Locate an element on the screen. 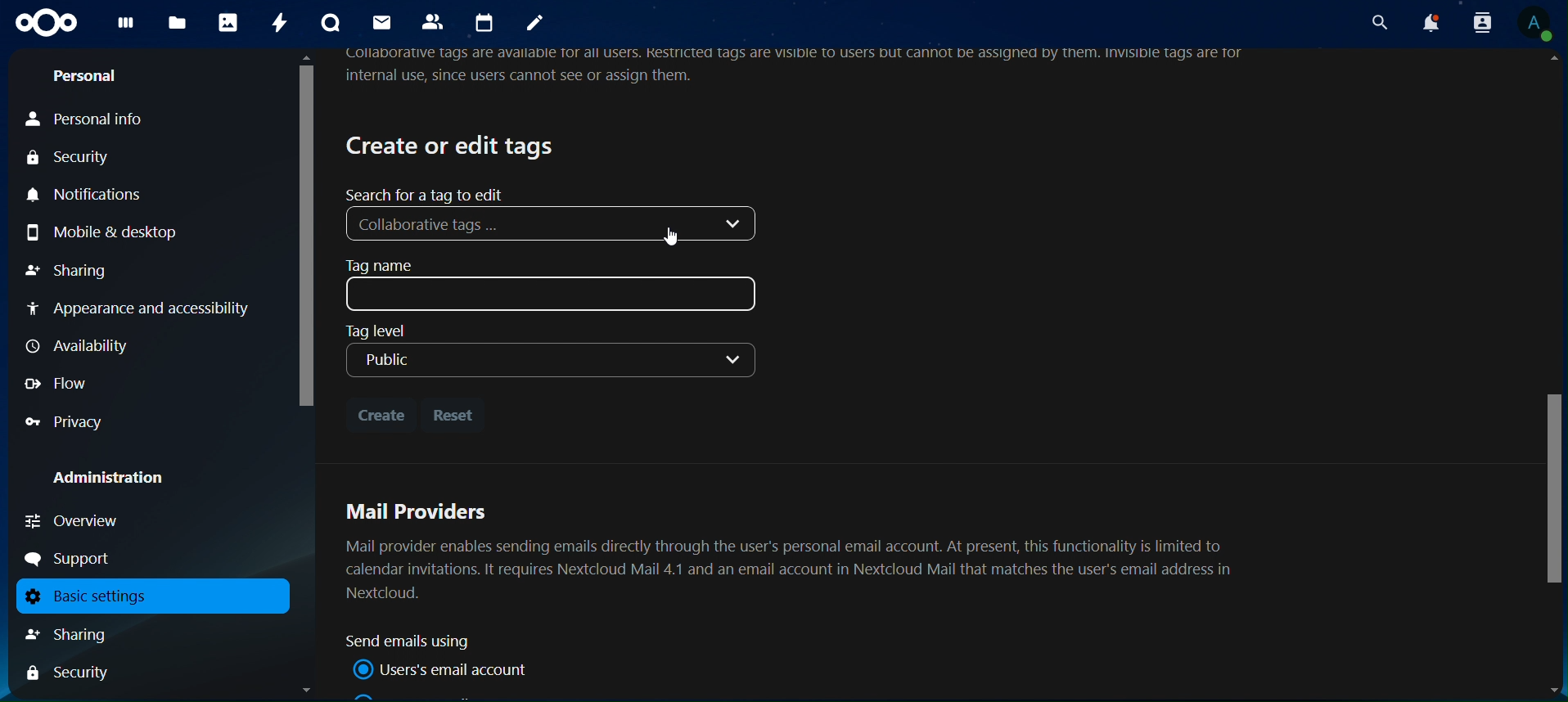  calendar is located at coordinates (487, 23).